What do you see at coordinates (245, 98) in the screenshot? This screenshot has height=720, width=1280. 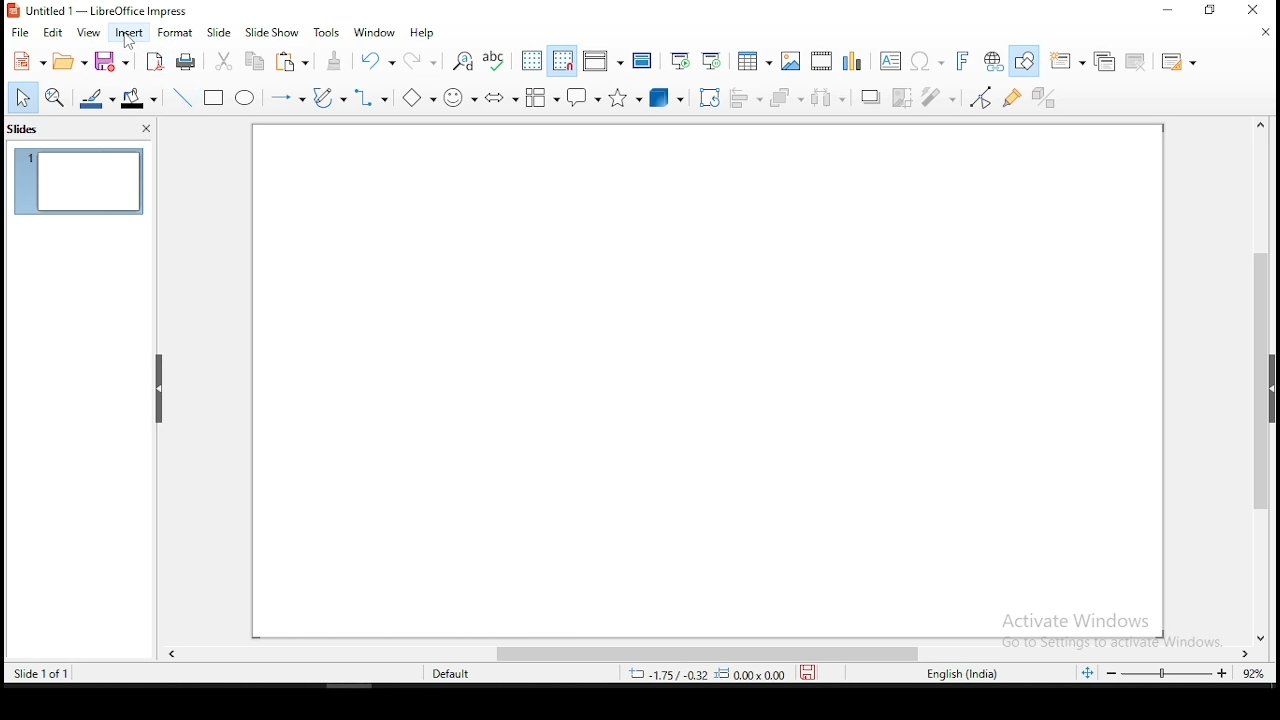 I see `ellipse` at bounding box center [245, 98].